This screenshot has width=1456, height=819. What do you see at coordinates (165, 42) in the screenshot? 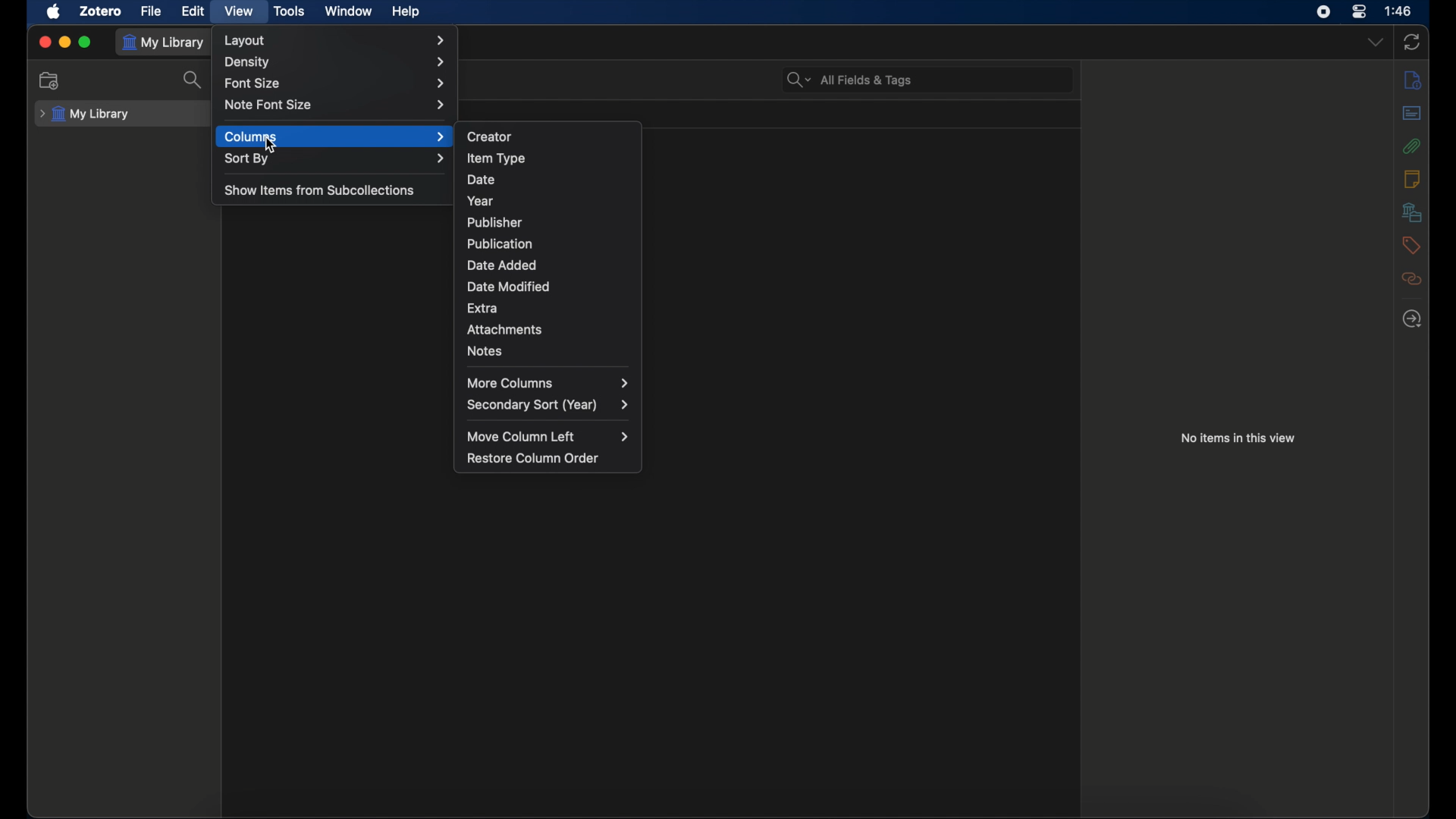
I see `my library` at bounding box center [165, 42].